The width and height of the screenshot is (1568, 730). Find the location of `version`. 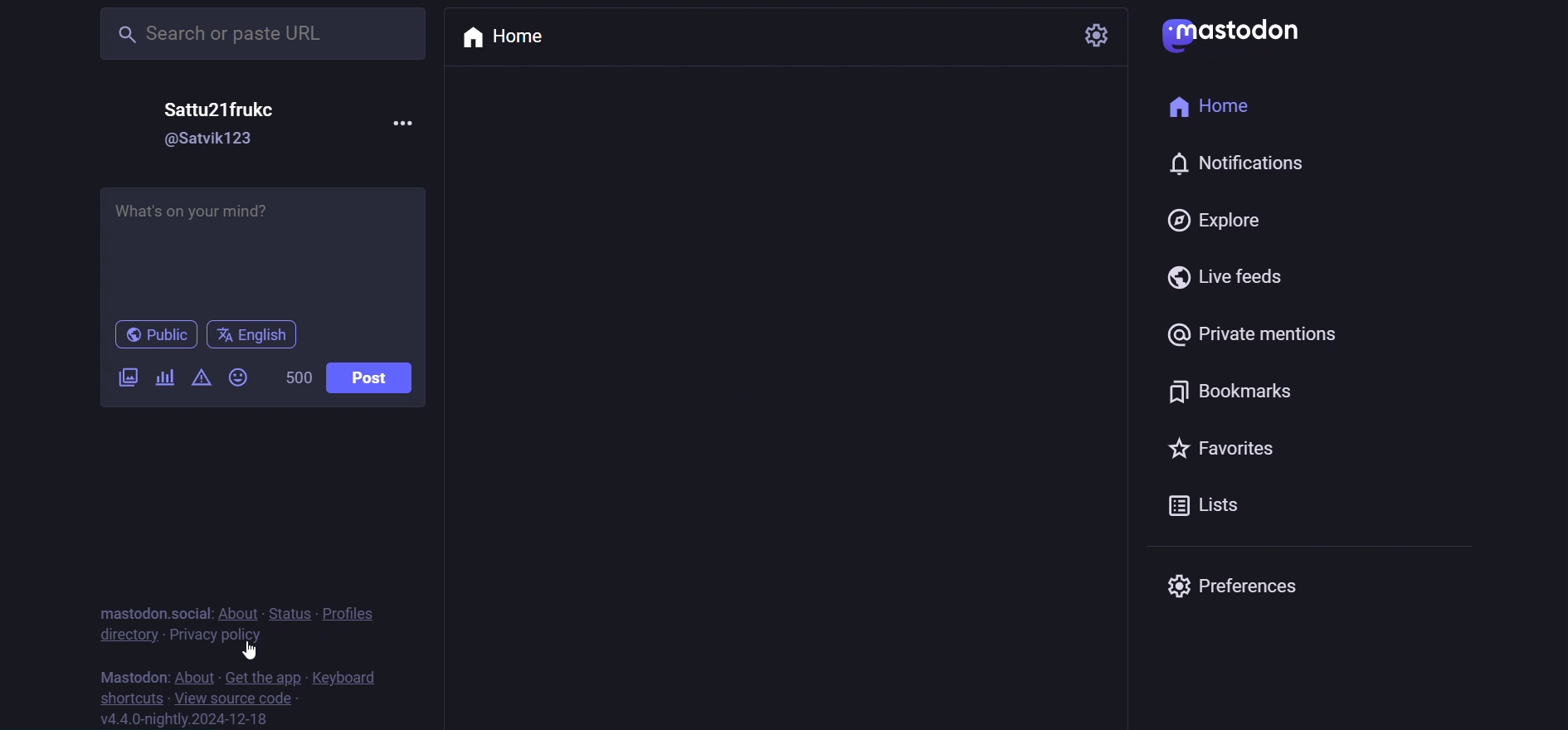

version is located at coordinates (188, 718).